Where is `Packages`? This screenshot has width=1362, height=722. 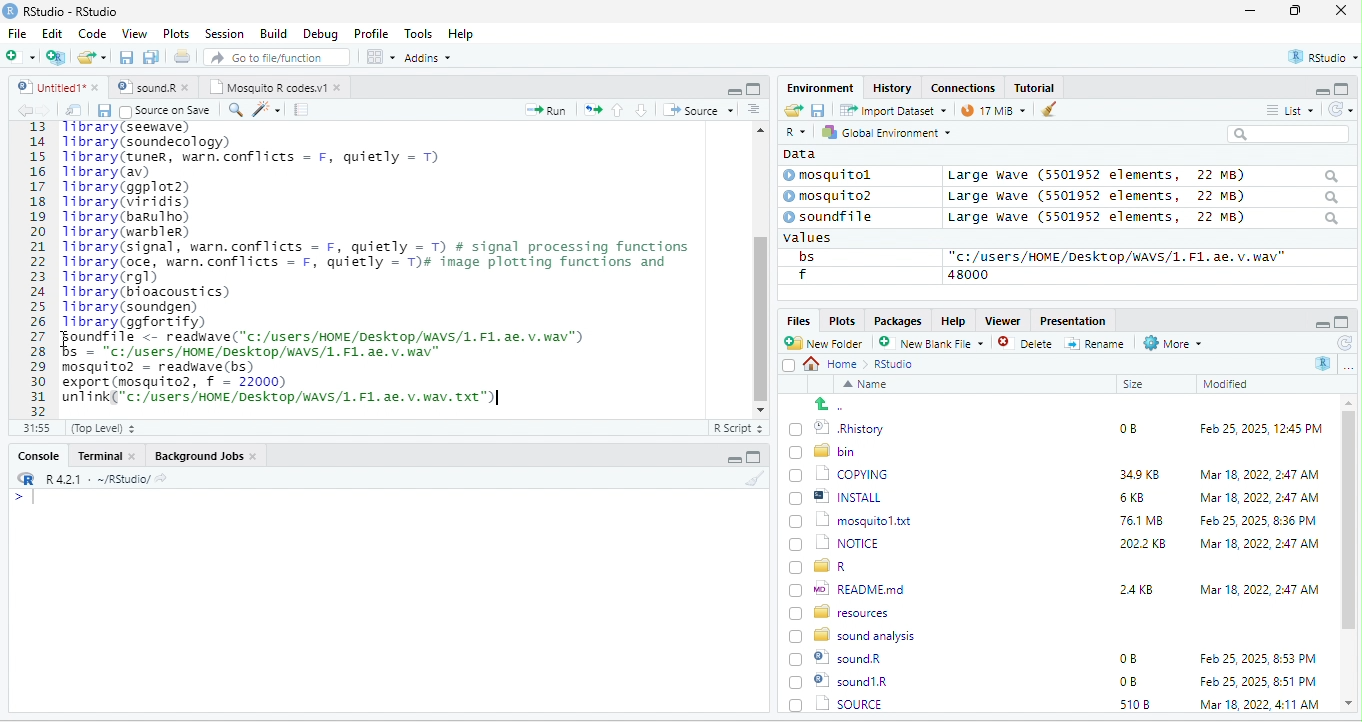 Packages is located at coordinates (901, 320).